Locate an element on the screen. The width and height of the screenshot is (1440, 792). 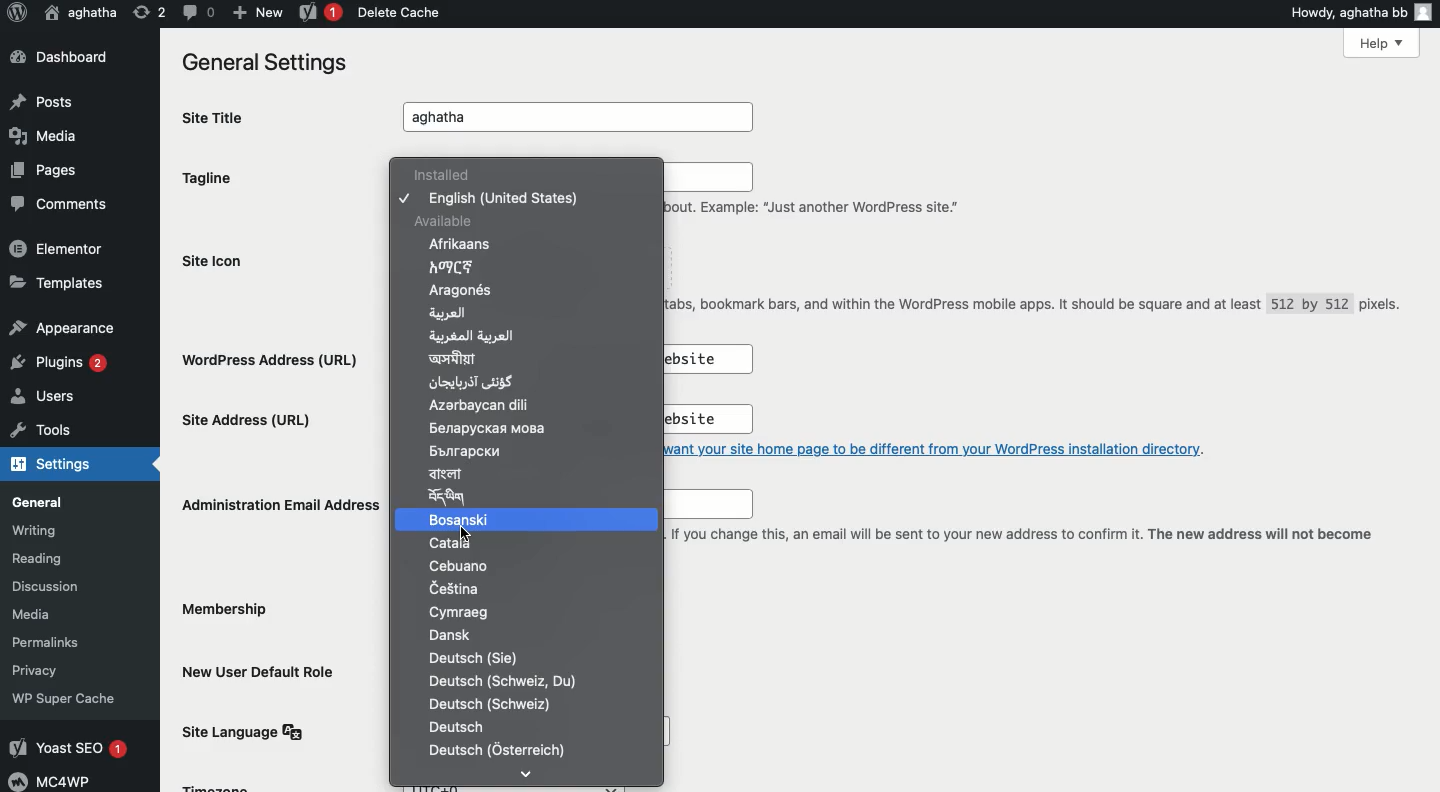
Enter the same address here unless you want your site home page to be different from your WordPress installation directory. is located at coordinates (948, 448).